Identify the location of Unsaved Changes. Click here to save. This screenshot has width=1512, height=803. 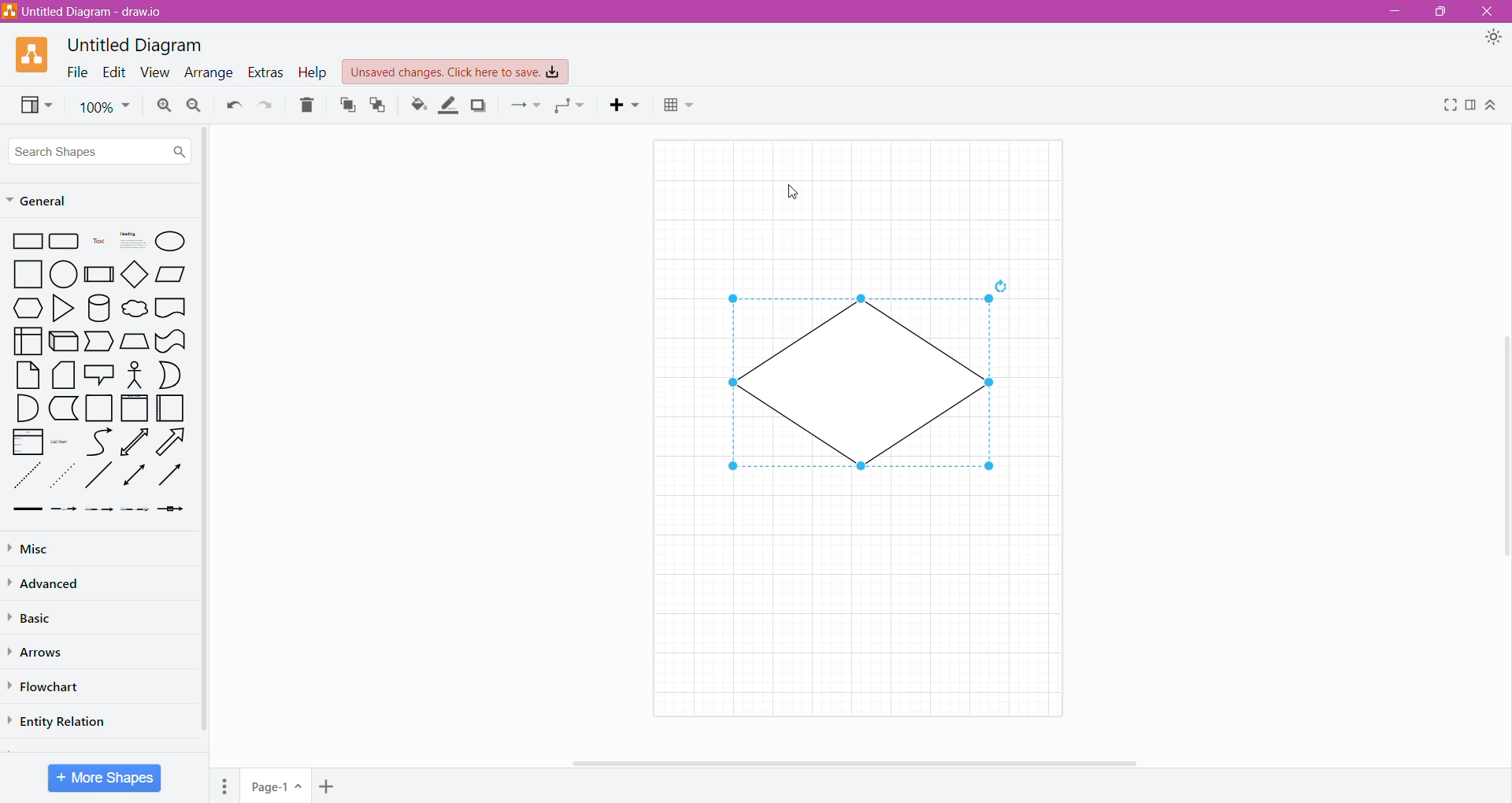
(456, 72).